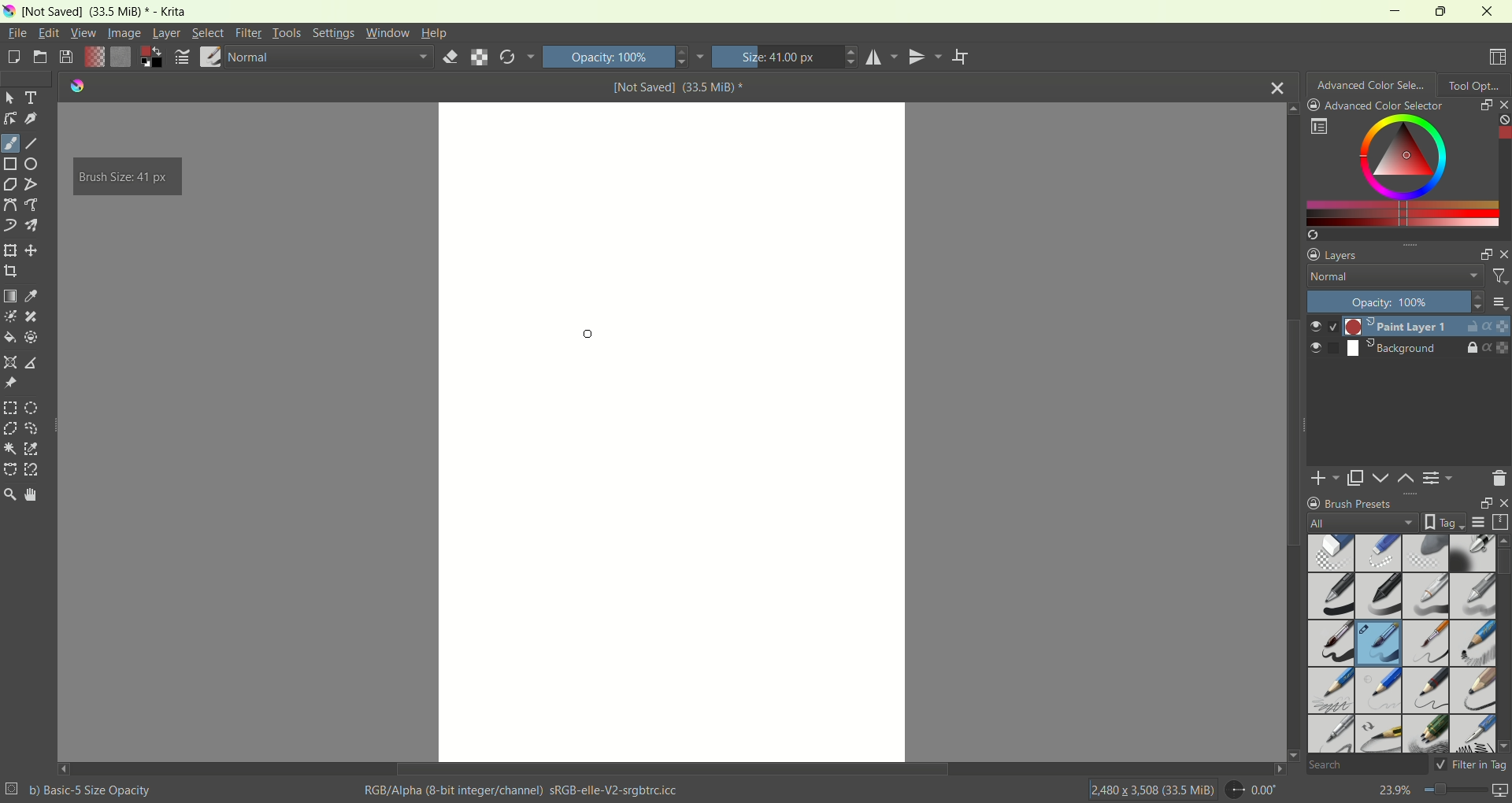  What do you see at coordinates (1336, 253) in the screenshot?
I see `layers` at bounding box center [1336, 253].